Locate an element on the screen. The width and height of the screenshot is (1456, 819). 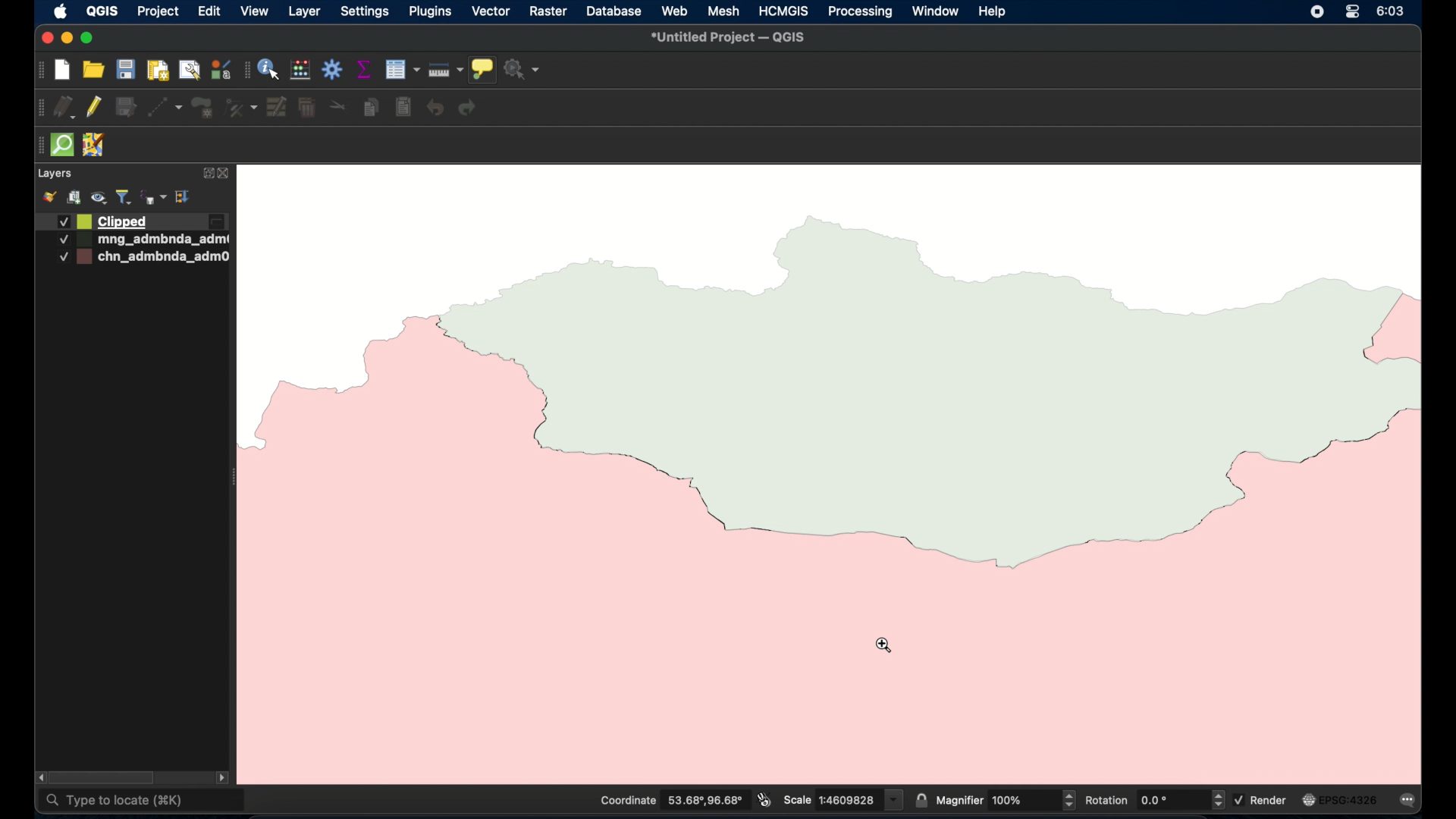
layer is located at coordinates (304, 13).